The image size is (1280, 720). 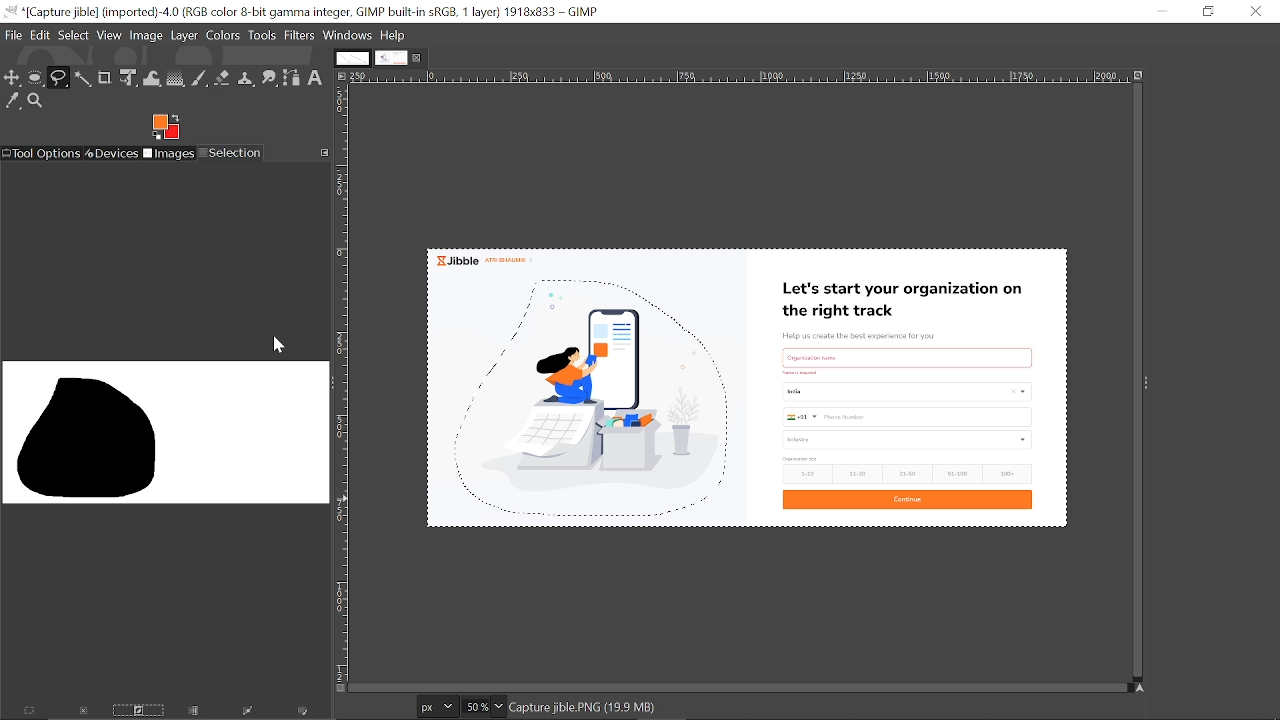 What do you see at coordinates (82, 79) in the screenshot?
I see `Fuzzy text tool` at bounding box center [82, 79].